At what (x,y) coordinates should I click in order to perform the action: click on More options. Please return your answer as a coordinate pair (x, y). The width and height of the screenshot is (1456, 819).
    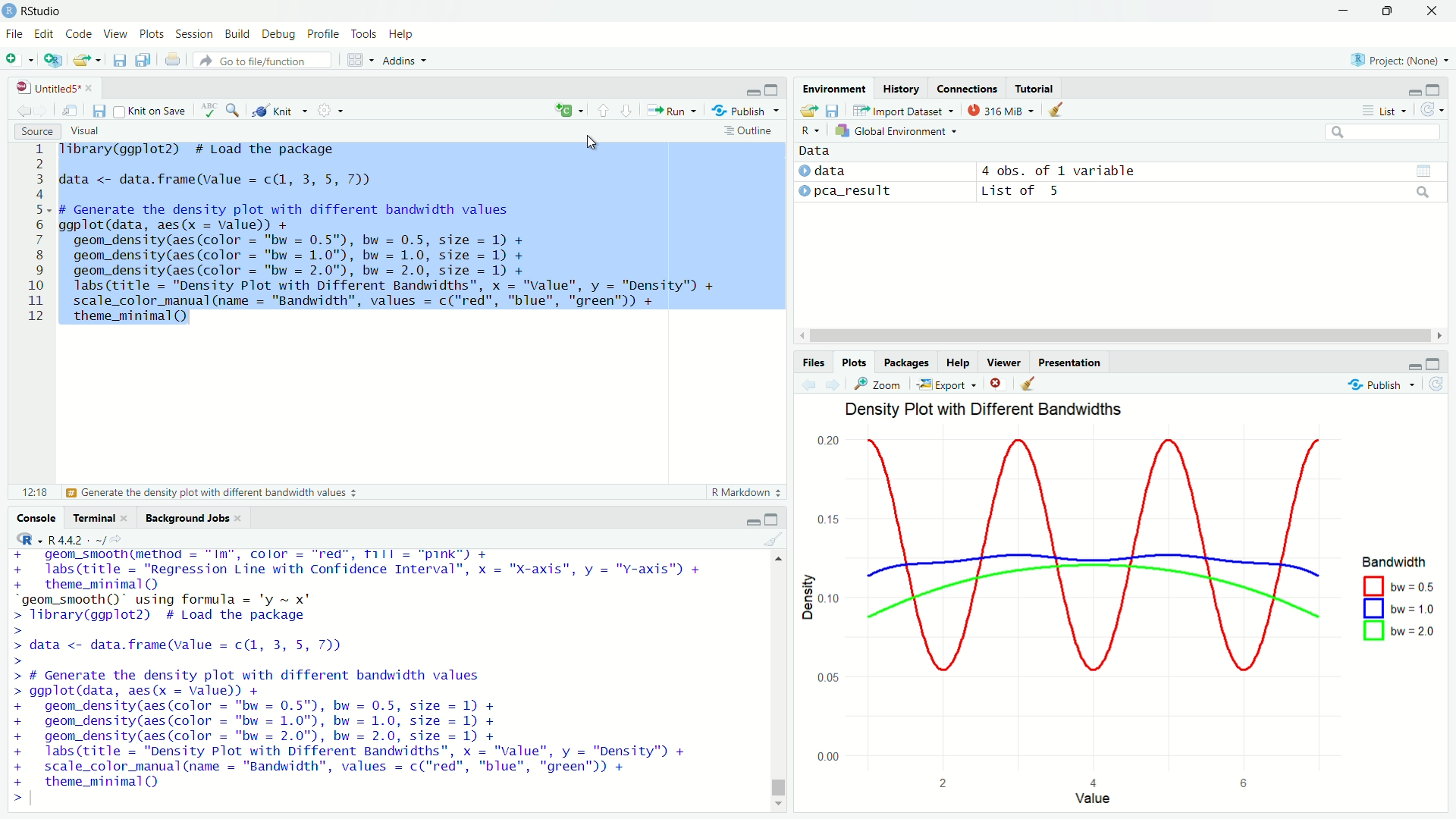
    Looking at the image, I should click on (330, 110).